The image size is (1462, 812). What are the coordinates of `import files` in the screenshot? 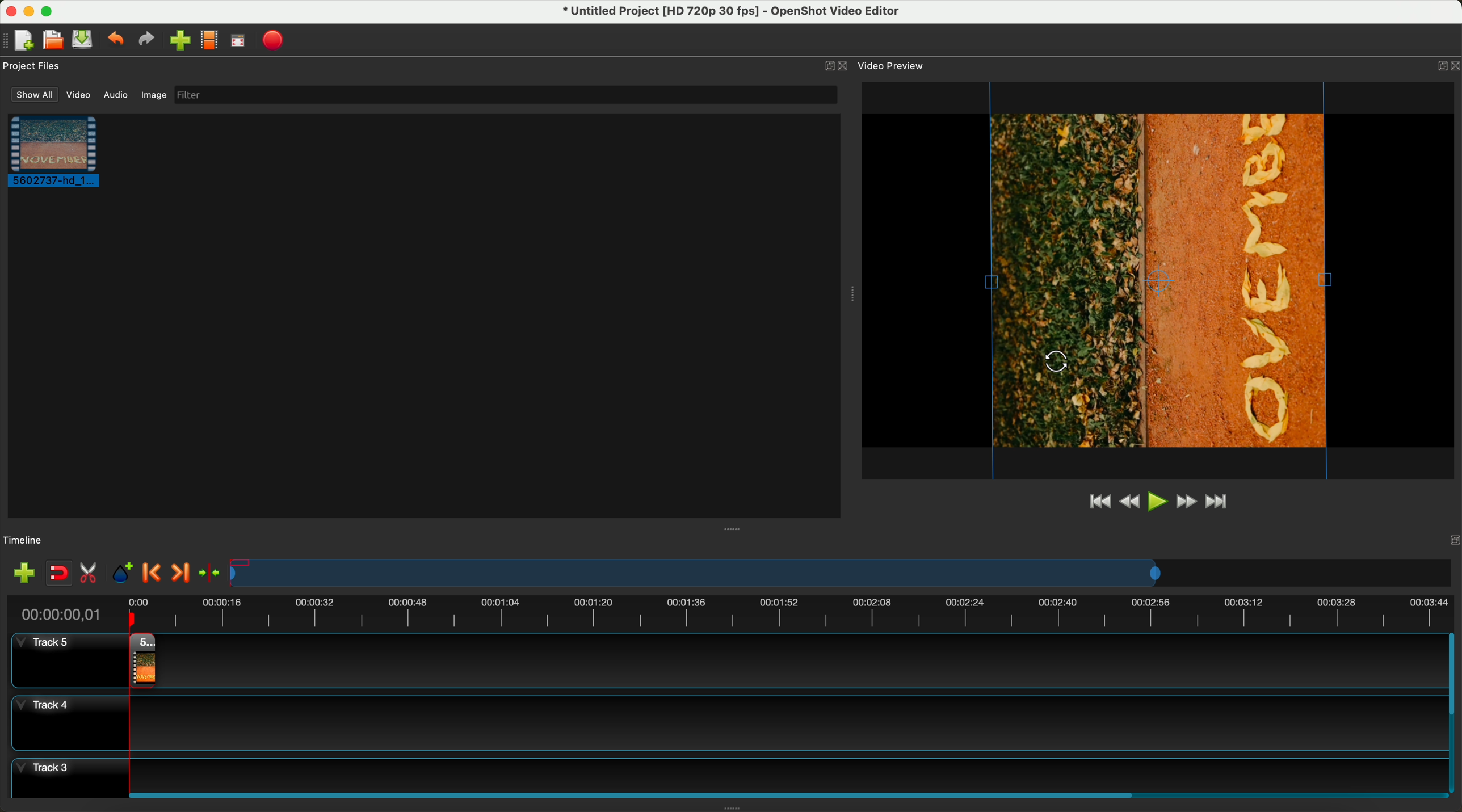 It's located at (179, 40).